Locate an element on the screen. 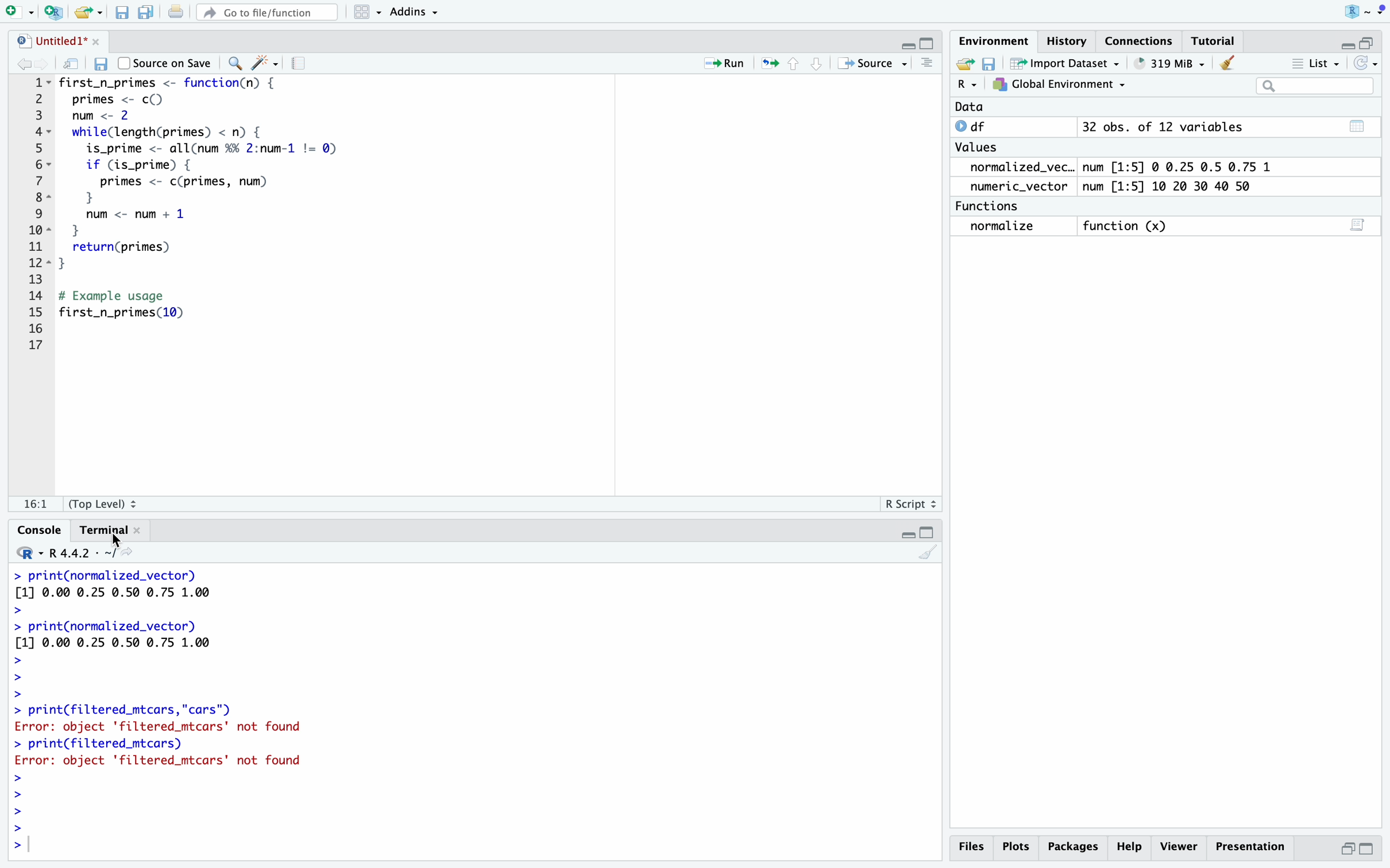 The image size is (1390, 868). minimize/maximize is located at coordinates (911, 41).